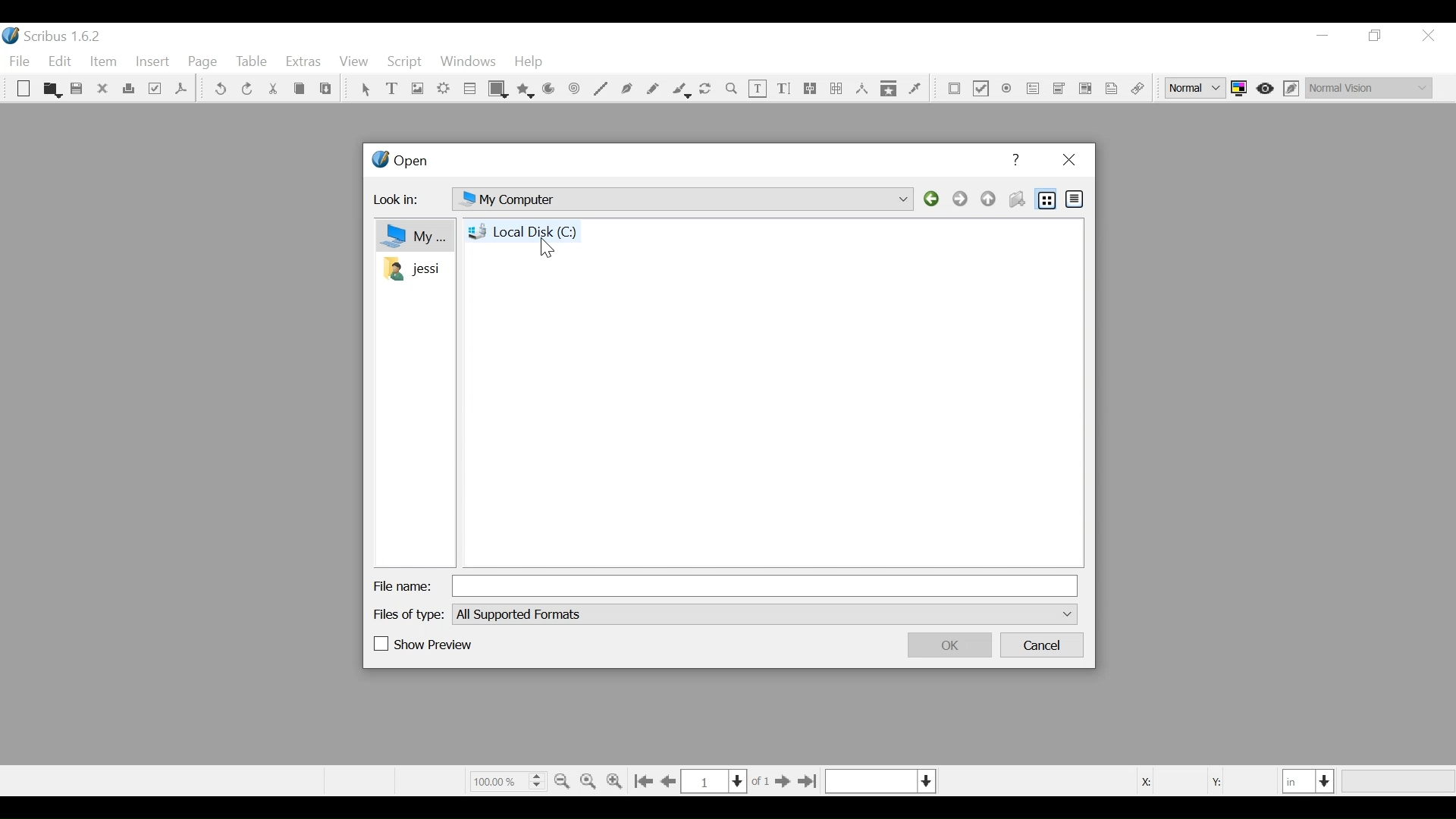 The height and width of the screenshot is (819, 1456). I want to click on Insert, so click(153, 64).